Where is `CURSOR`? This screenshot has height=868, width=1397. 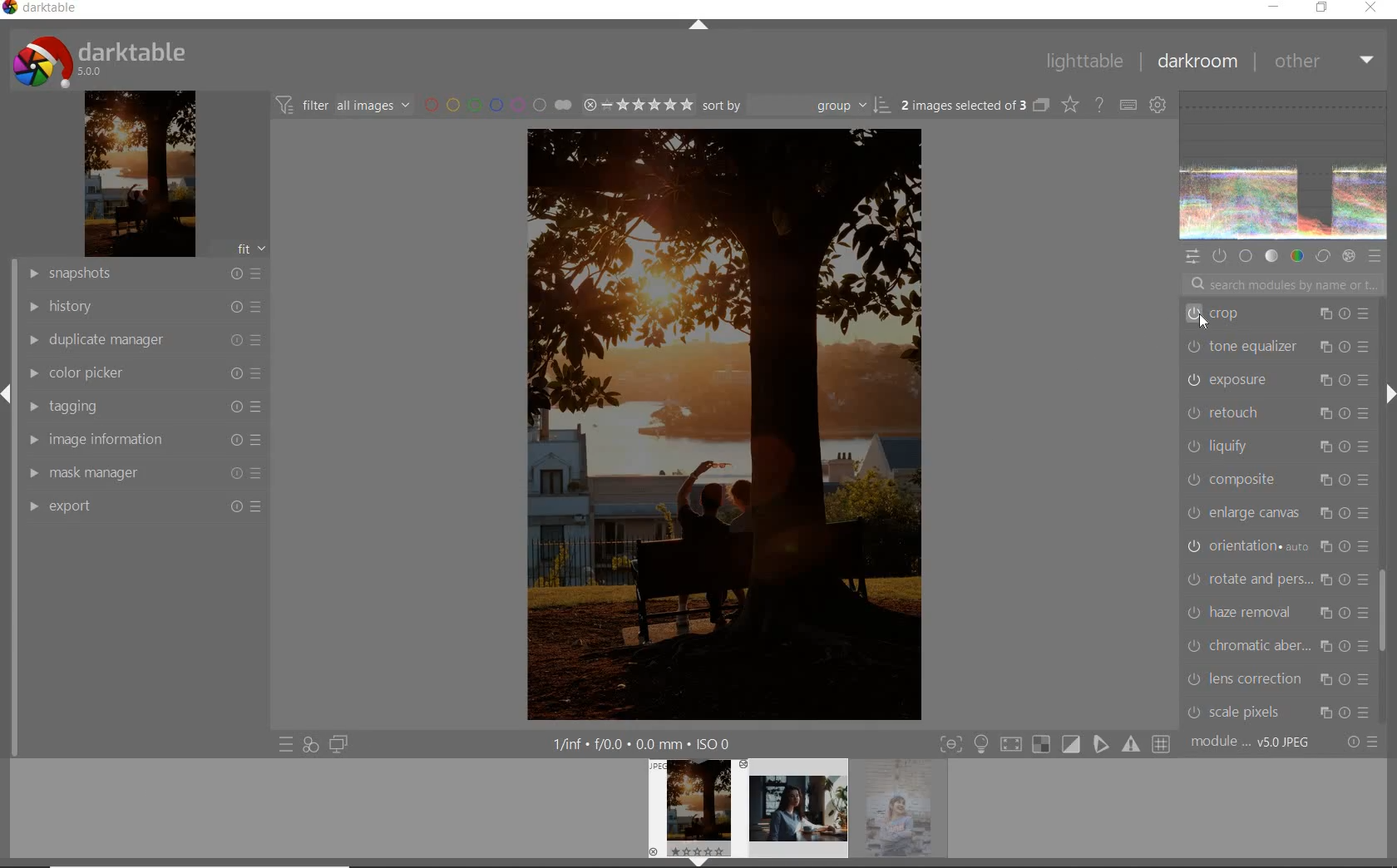
CURSOR is located at coordinates (1202, 322).